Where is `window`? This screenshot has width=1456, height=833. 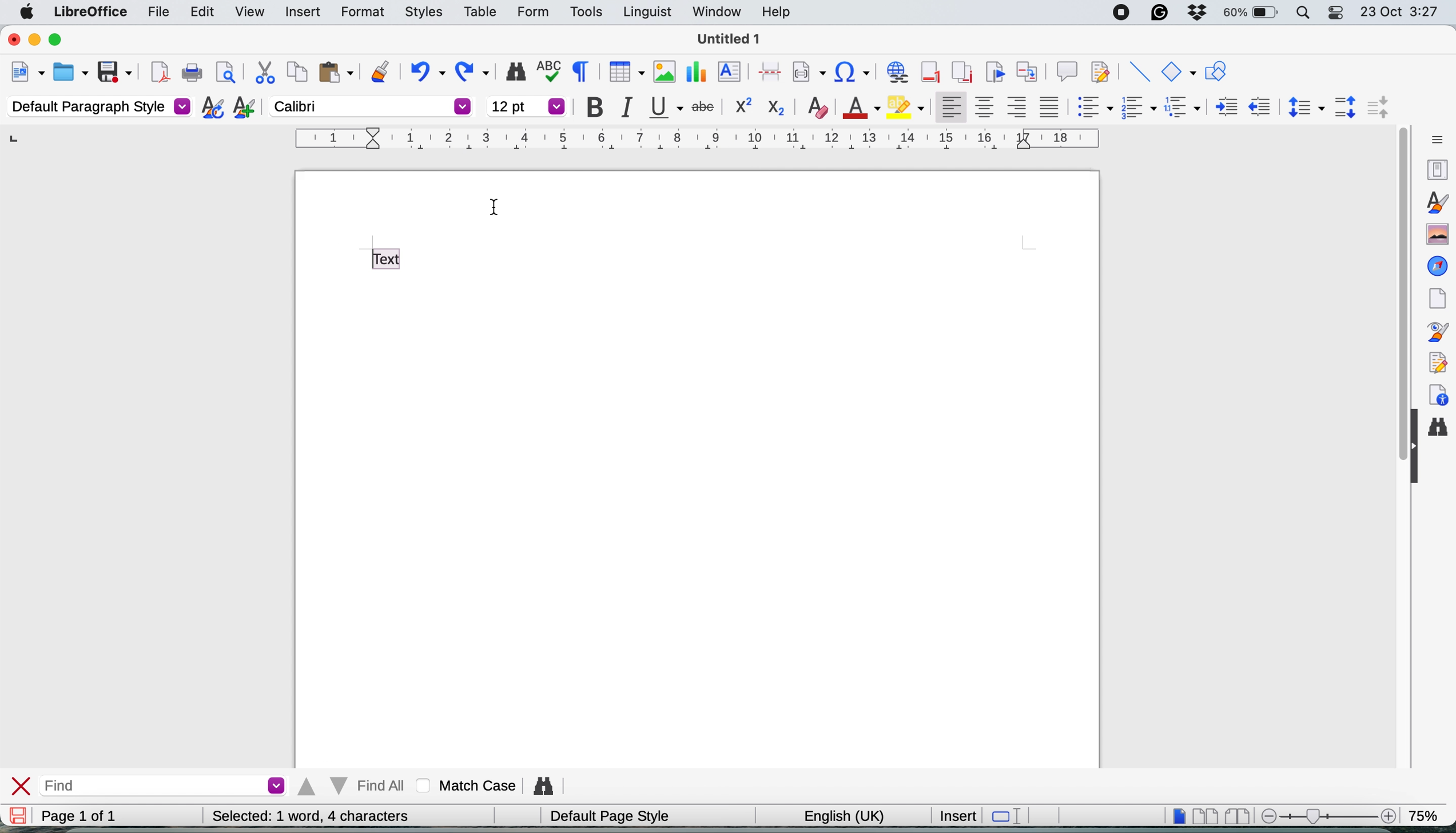
window is located at coordinates (714, 14).